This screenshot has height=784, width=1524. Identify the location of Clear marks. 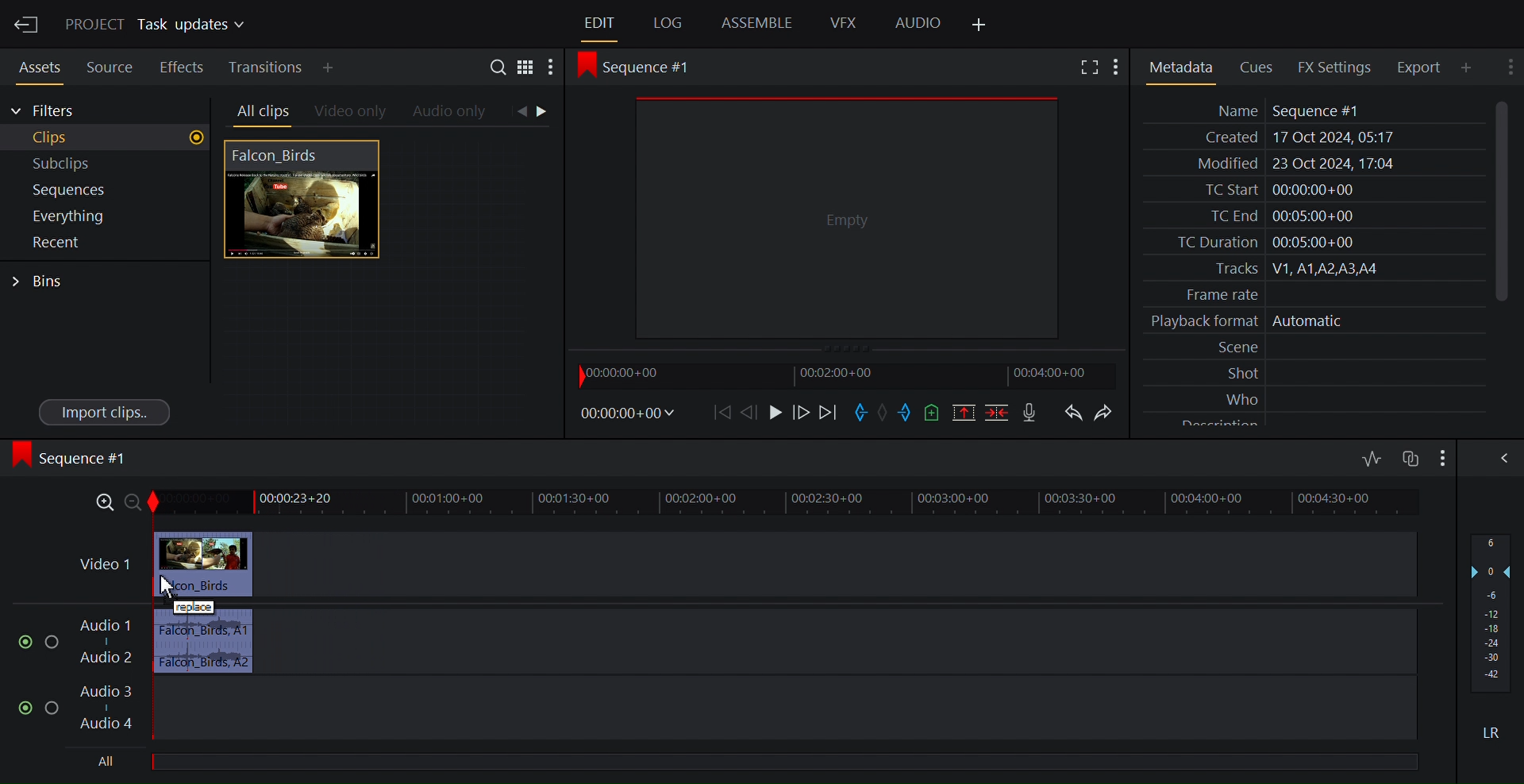
(883, 412).